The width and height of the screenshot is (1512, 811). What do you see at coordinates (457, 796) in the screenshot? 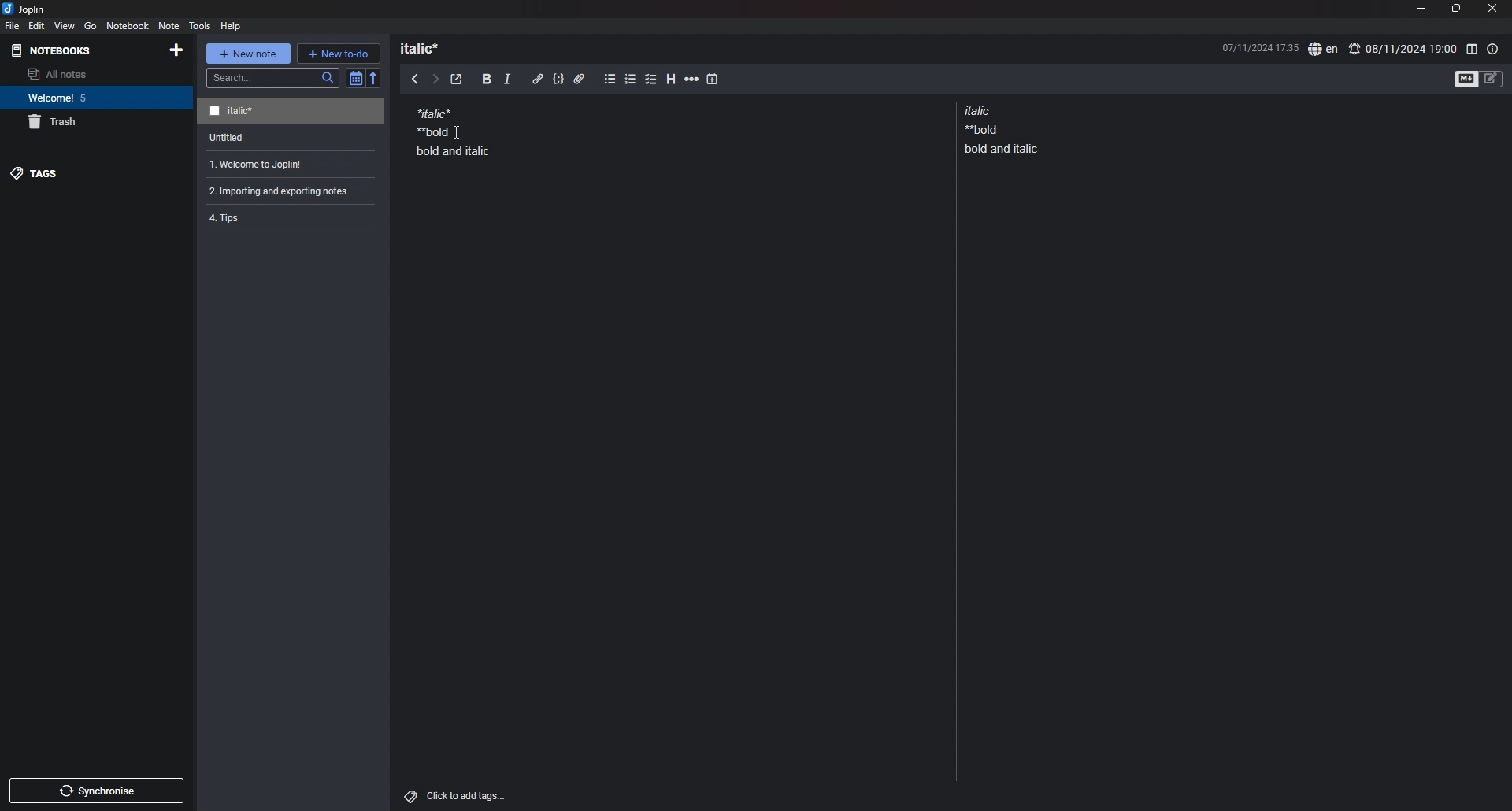
I see `add tags` at bounding box center [457, 796].